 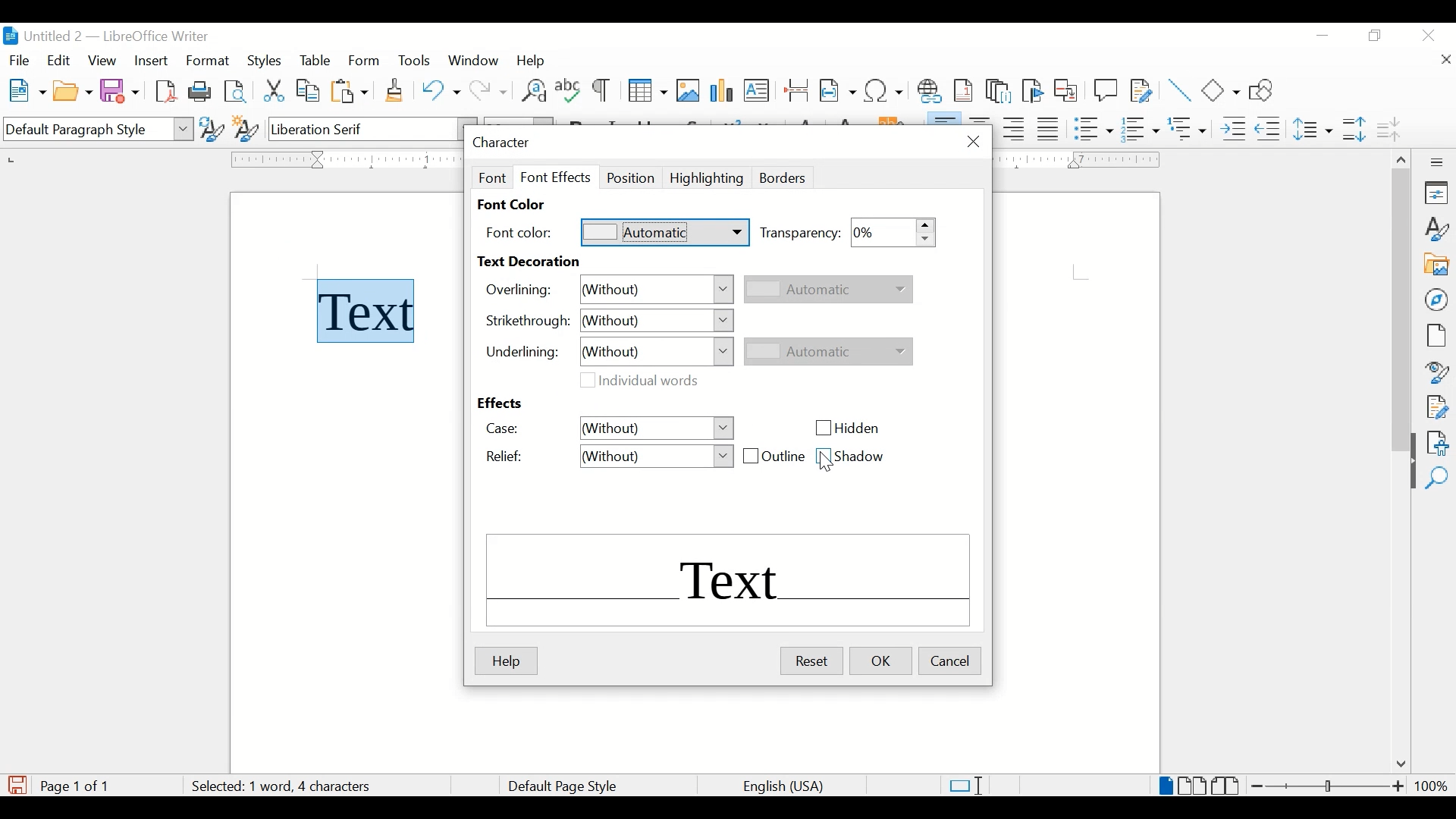 I want to click on hidden checkbox, so click(x=849, y=428).